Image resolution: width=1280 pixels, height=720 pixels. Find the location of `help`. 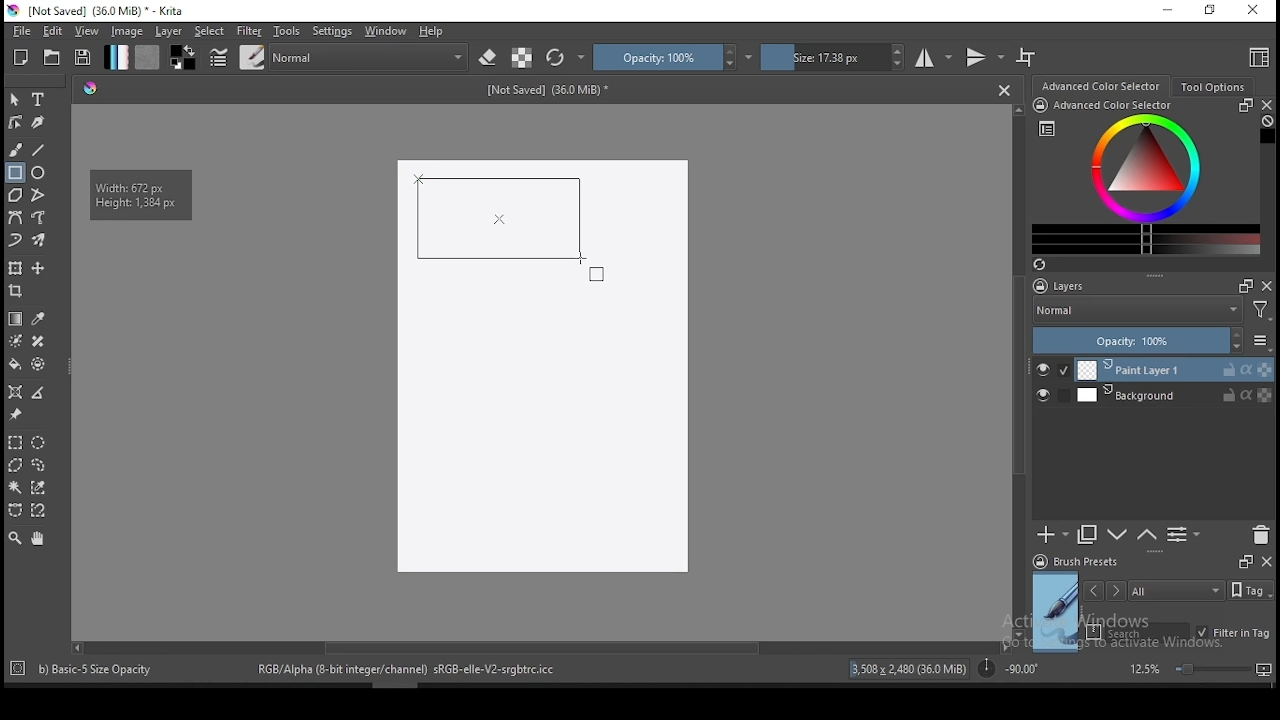

help is located at coordinates (435, 32).